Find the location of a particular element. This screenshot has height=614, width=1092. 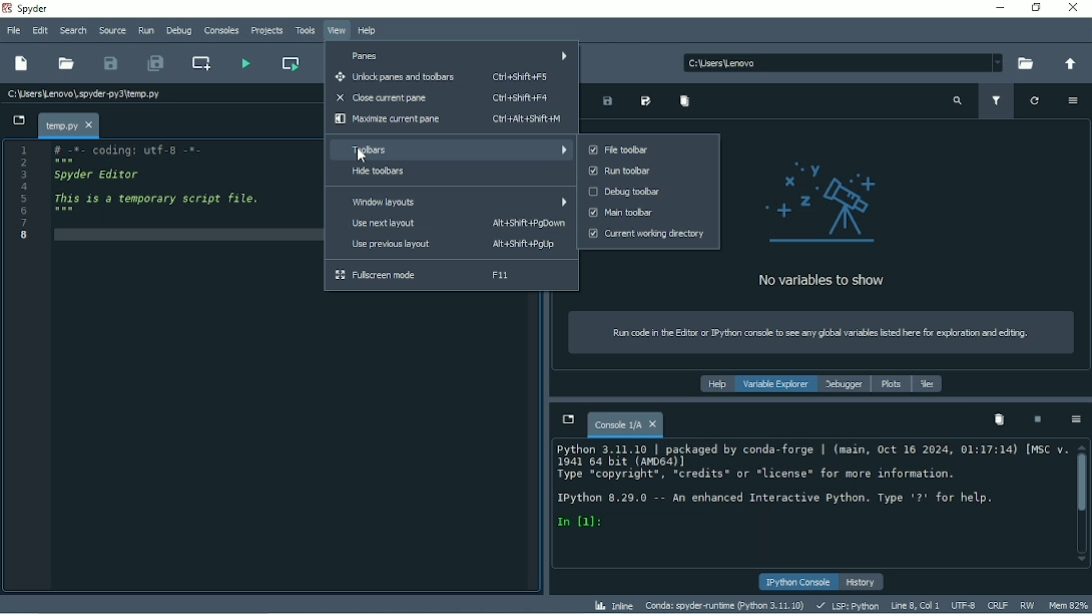

Save data as is located at coordinates (647, 102).